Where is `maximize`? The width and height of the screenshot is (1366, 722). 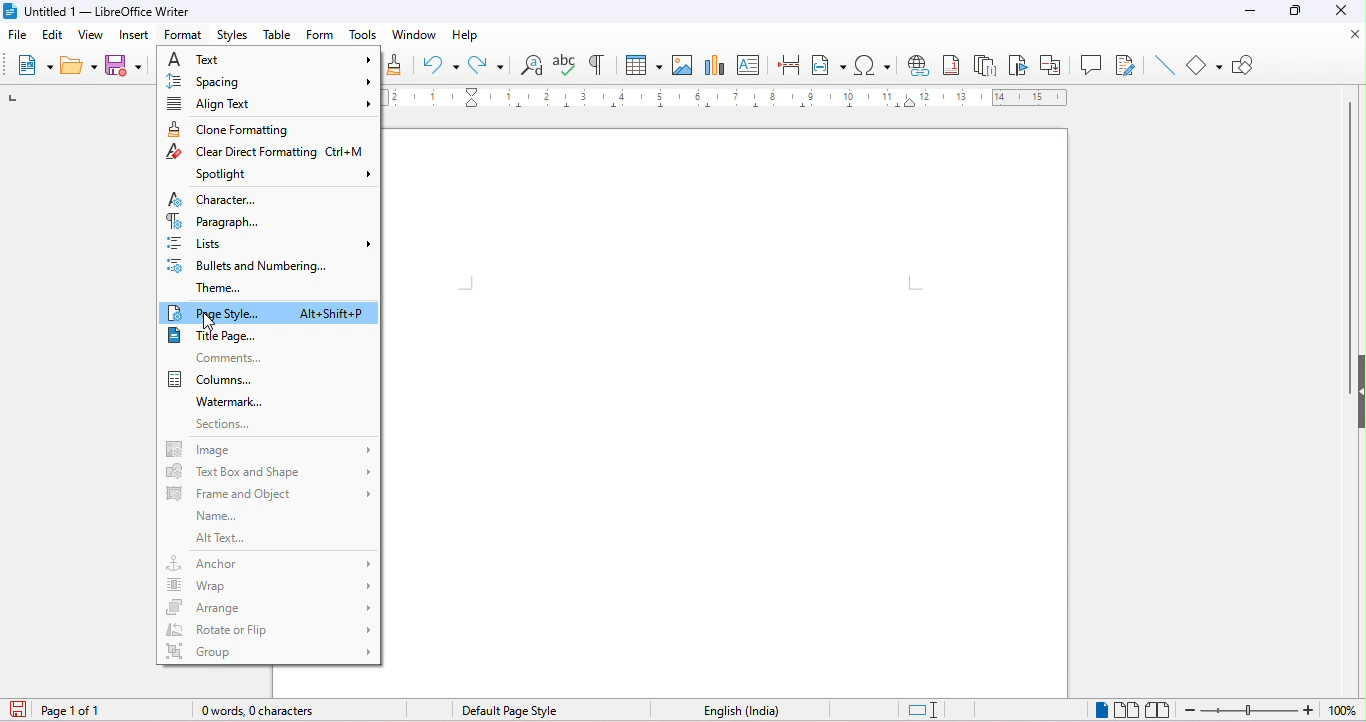 maximize is located at coordinates (1299, 11).